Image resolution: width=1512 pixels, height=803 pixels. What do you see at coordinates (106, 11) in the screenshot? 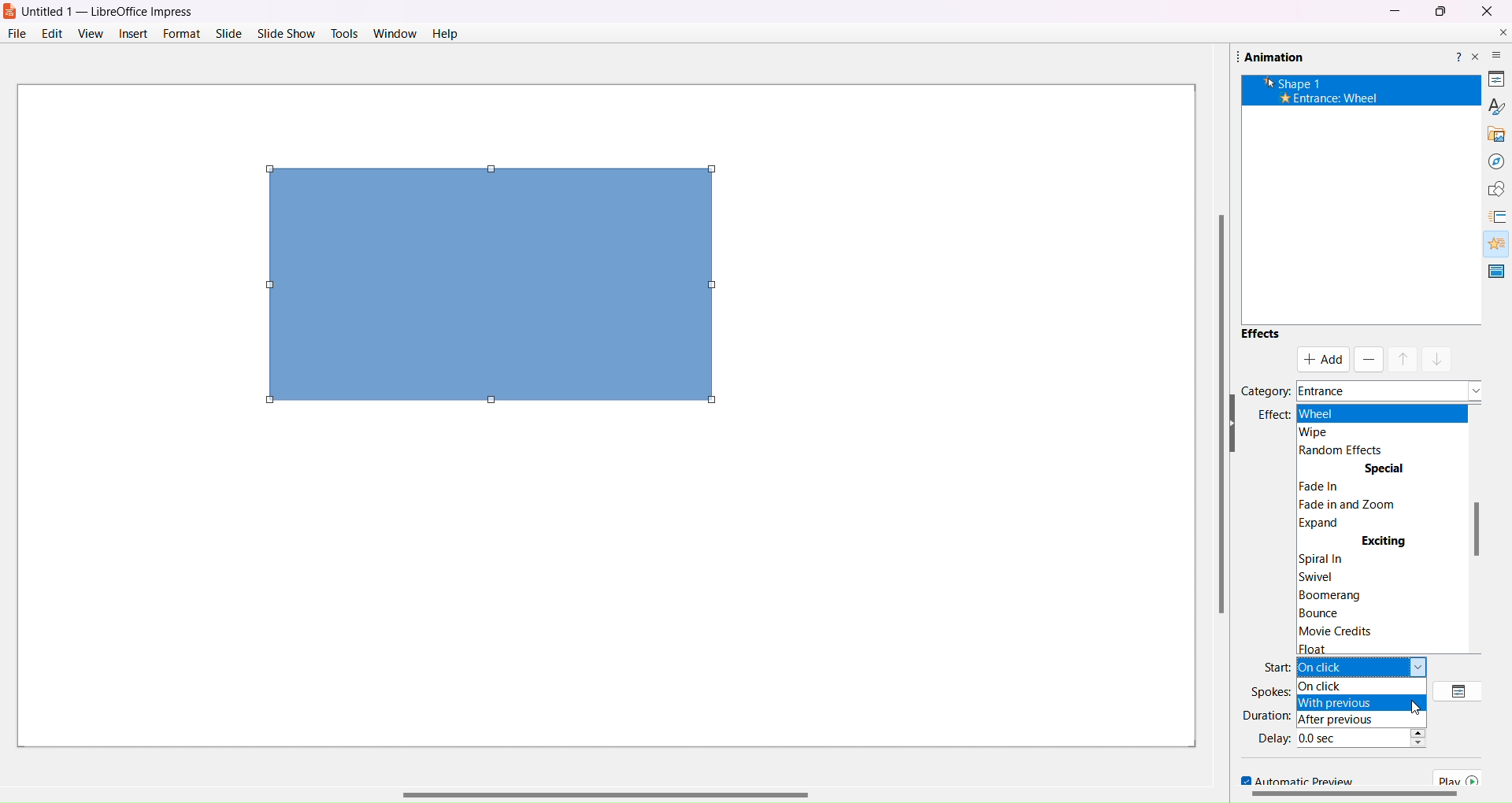
I see `J Untitled 1 — LibreOffice Impress` at bounding box center [106, 11].